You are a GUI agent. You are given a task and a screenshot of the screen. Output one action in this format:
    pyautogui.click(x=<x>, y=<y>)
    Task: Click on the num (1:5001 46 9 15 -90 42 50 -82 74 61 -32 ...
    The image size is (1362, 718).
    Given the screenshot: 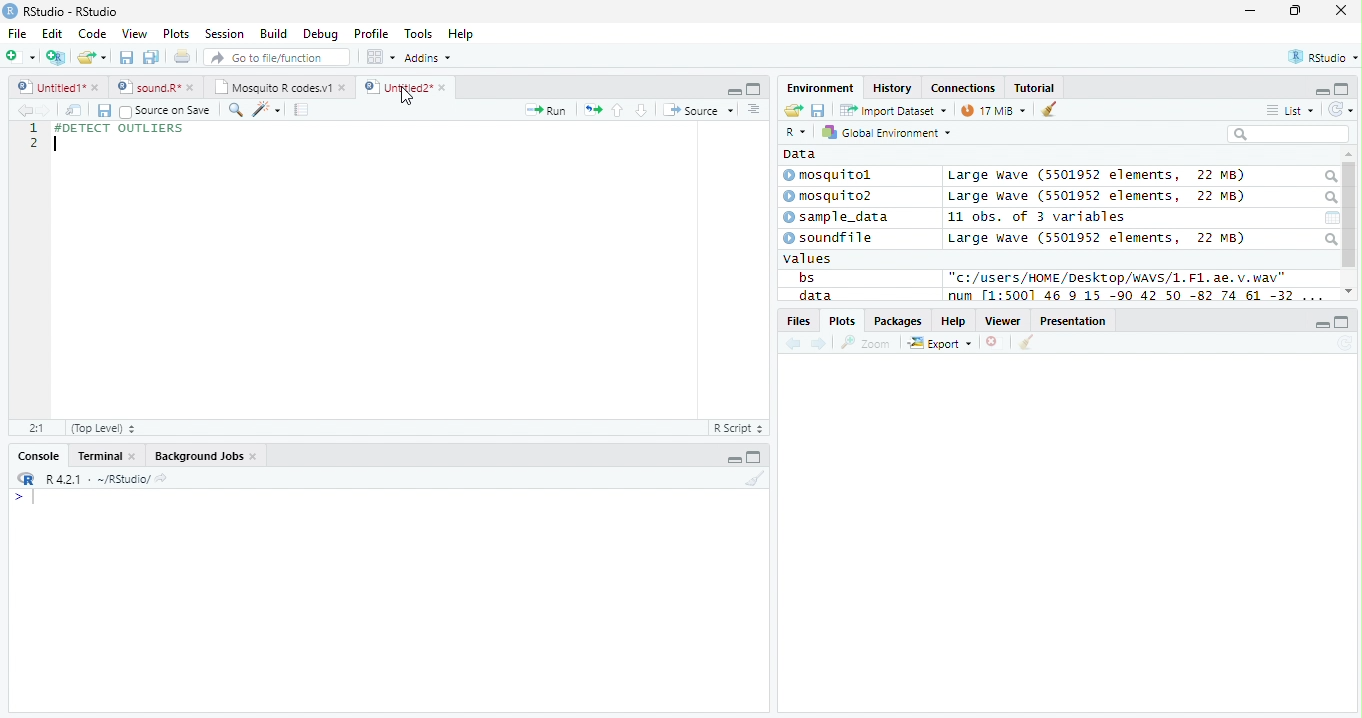 What is the action you would take?
    pyautogui.click(x=1138, y=296)
    